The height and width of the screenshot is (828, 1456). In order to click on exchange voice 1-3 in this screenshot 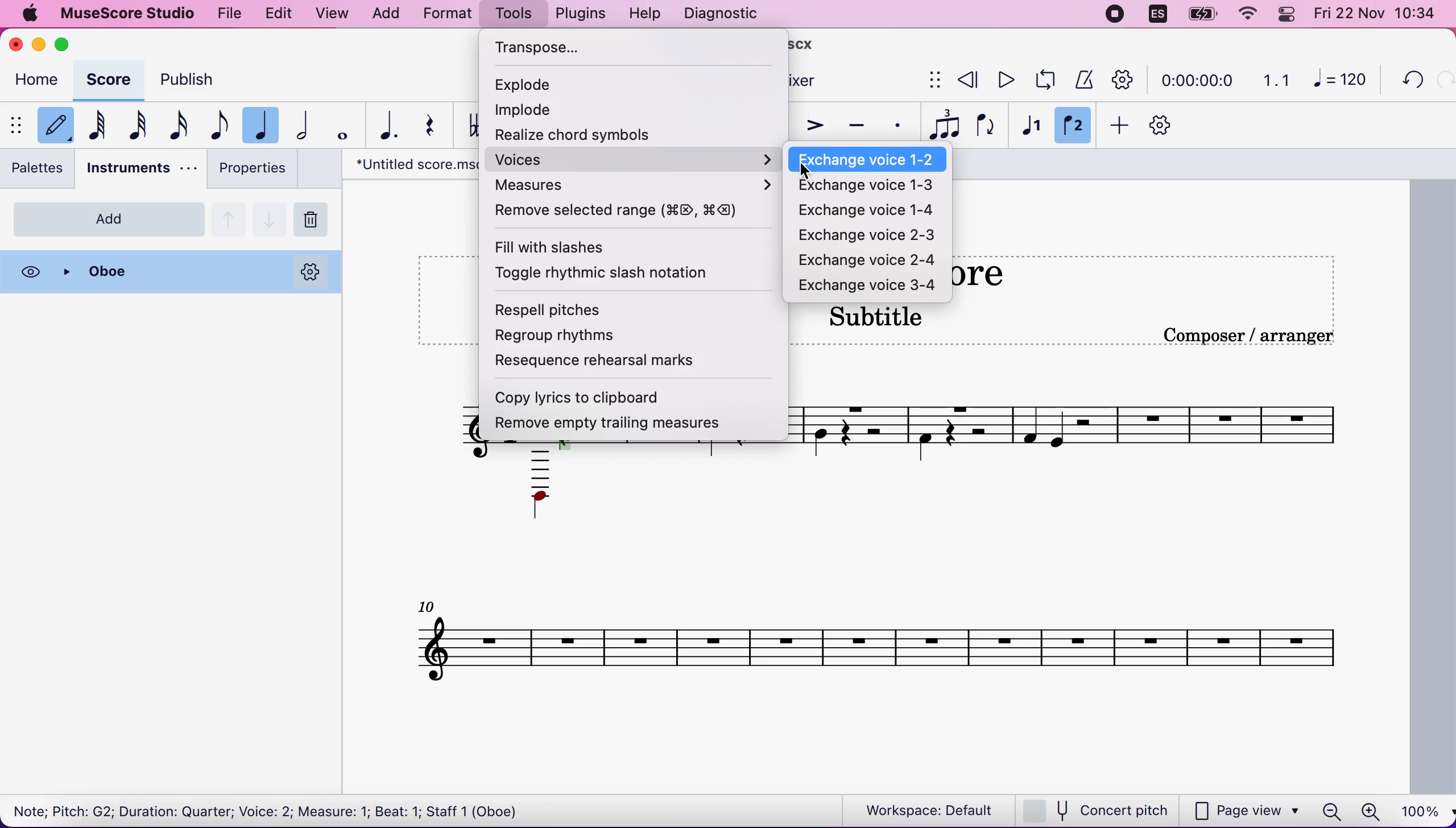, I will do `click(868, 186)`.